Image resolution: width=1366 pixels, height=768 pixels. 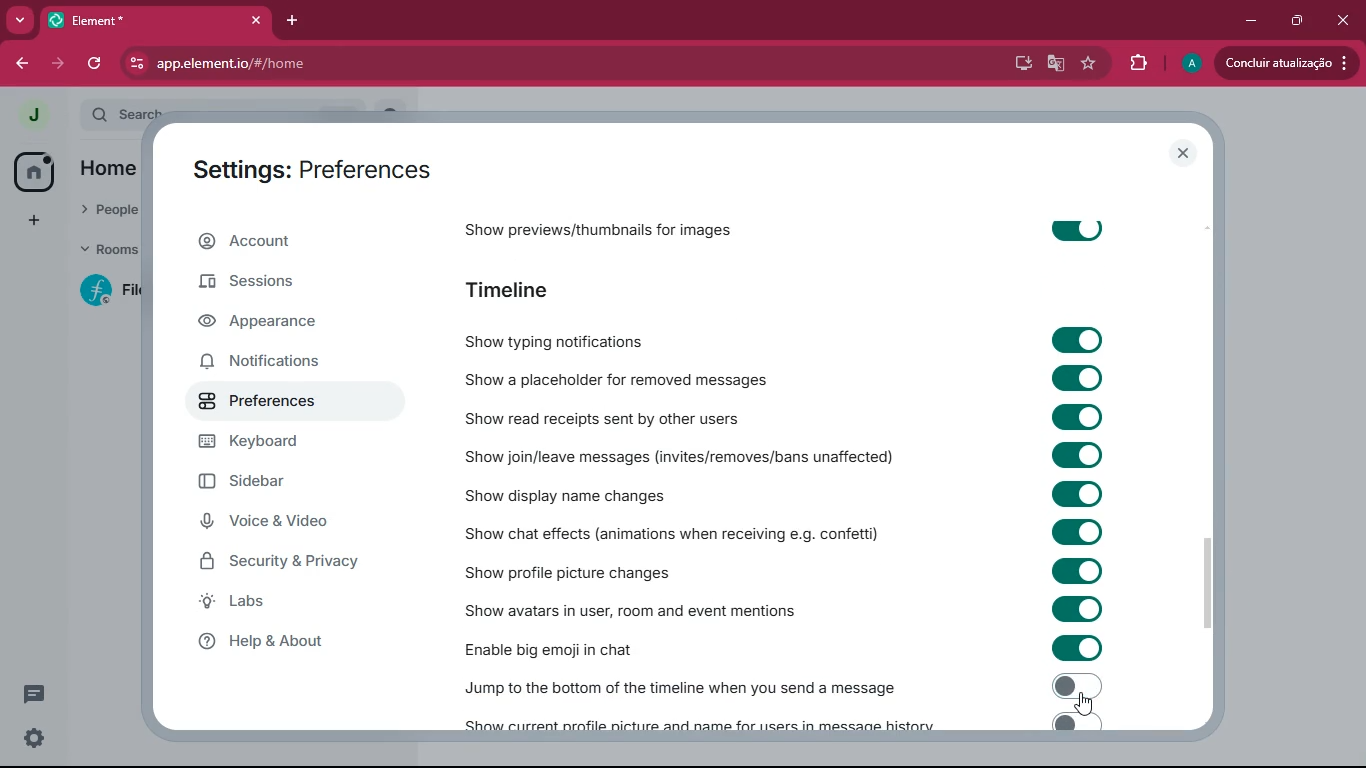 I want to click on Toggle off, so click(x=1085, y=684).